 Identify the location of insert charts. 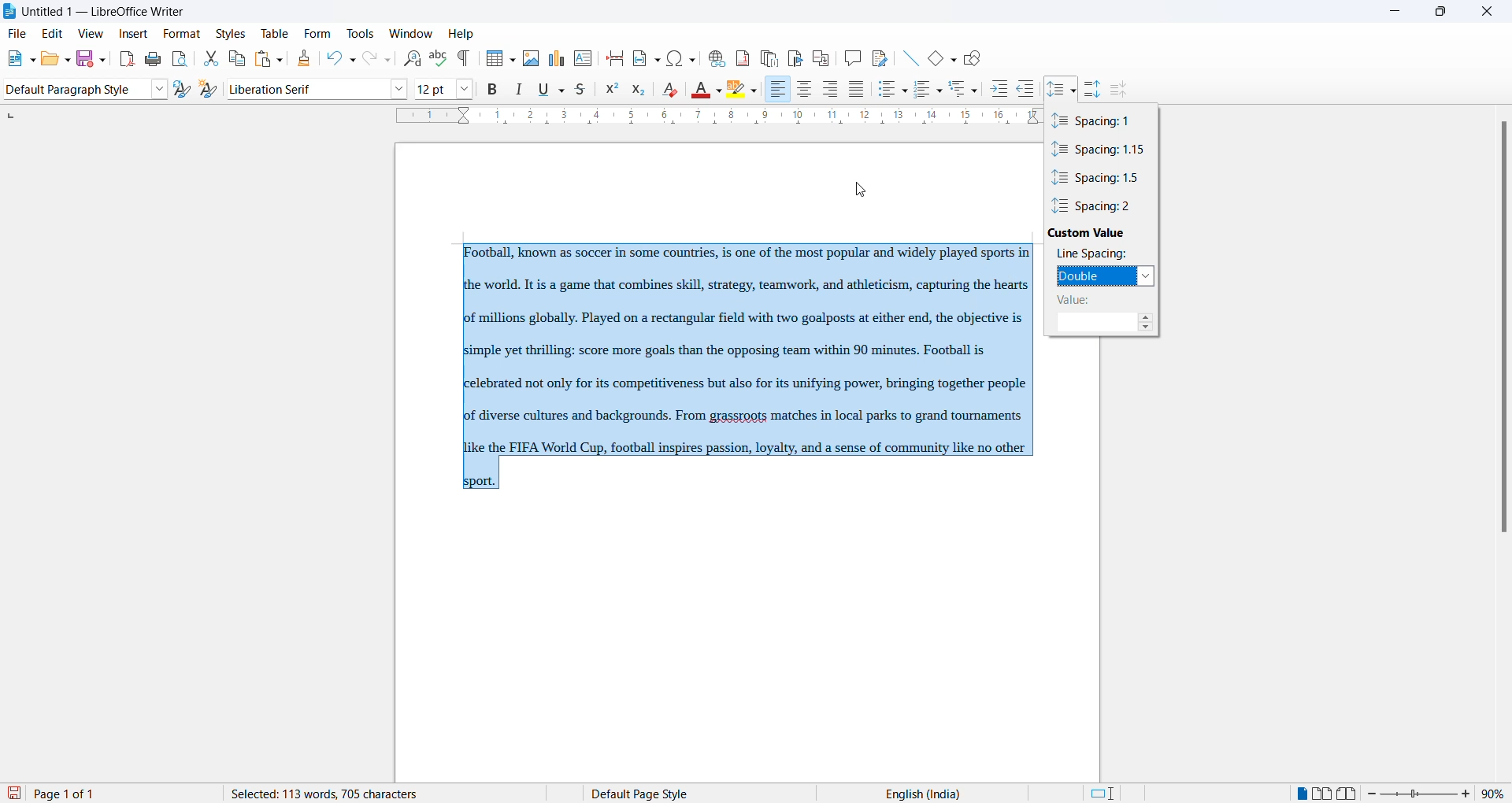
(556, 57).